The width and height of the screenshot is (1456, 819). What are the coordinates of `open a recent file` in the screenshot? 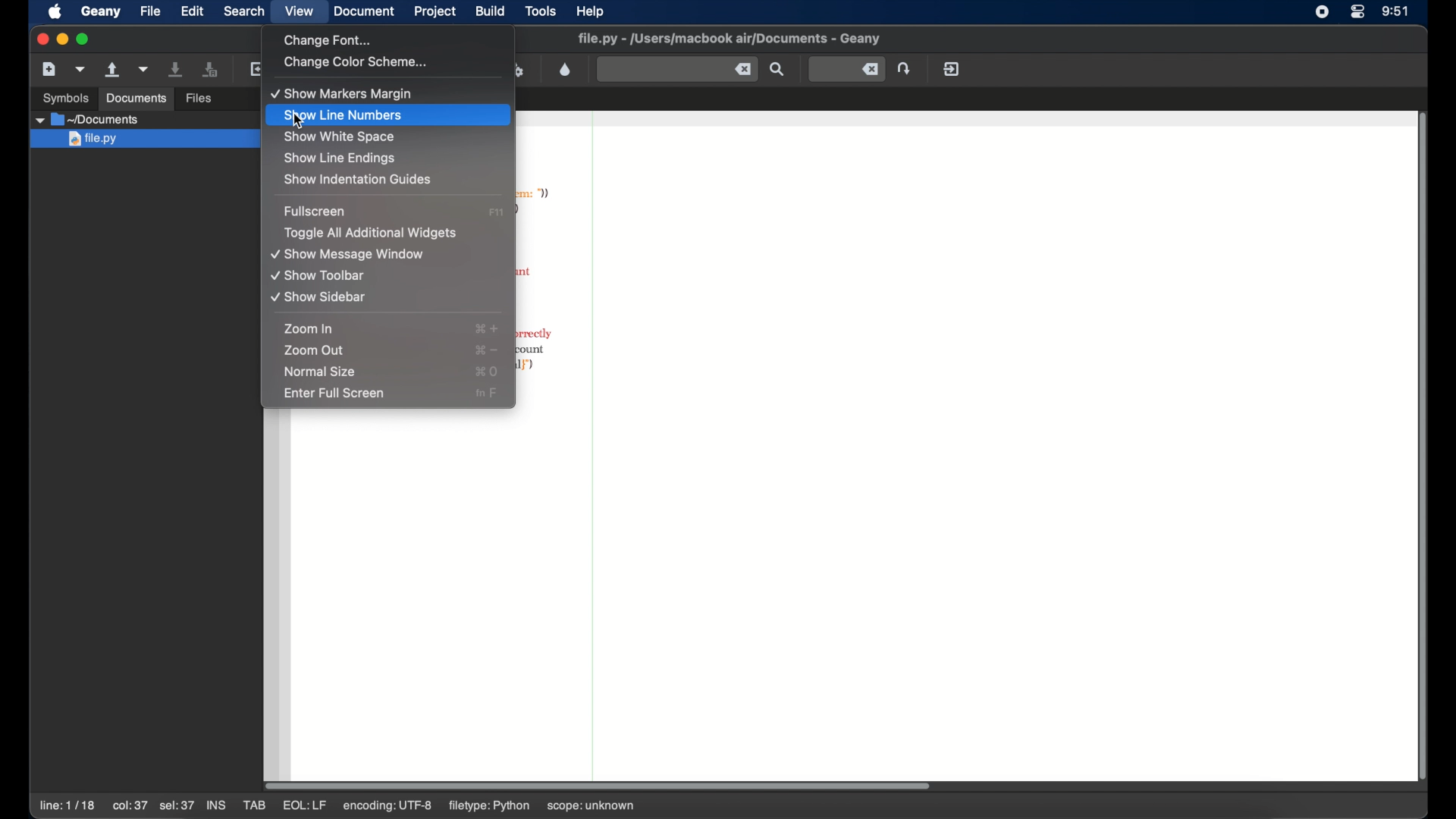 It's located at (145, 69).